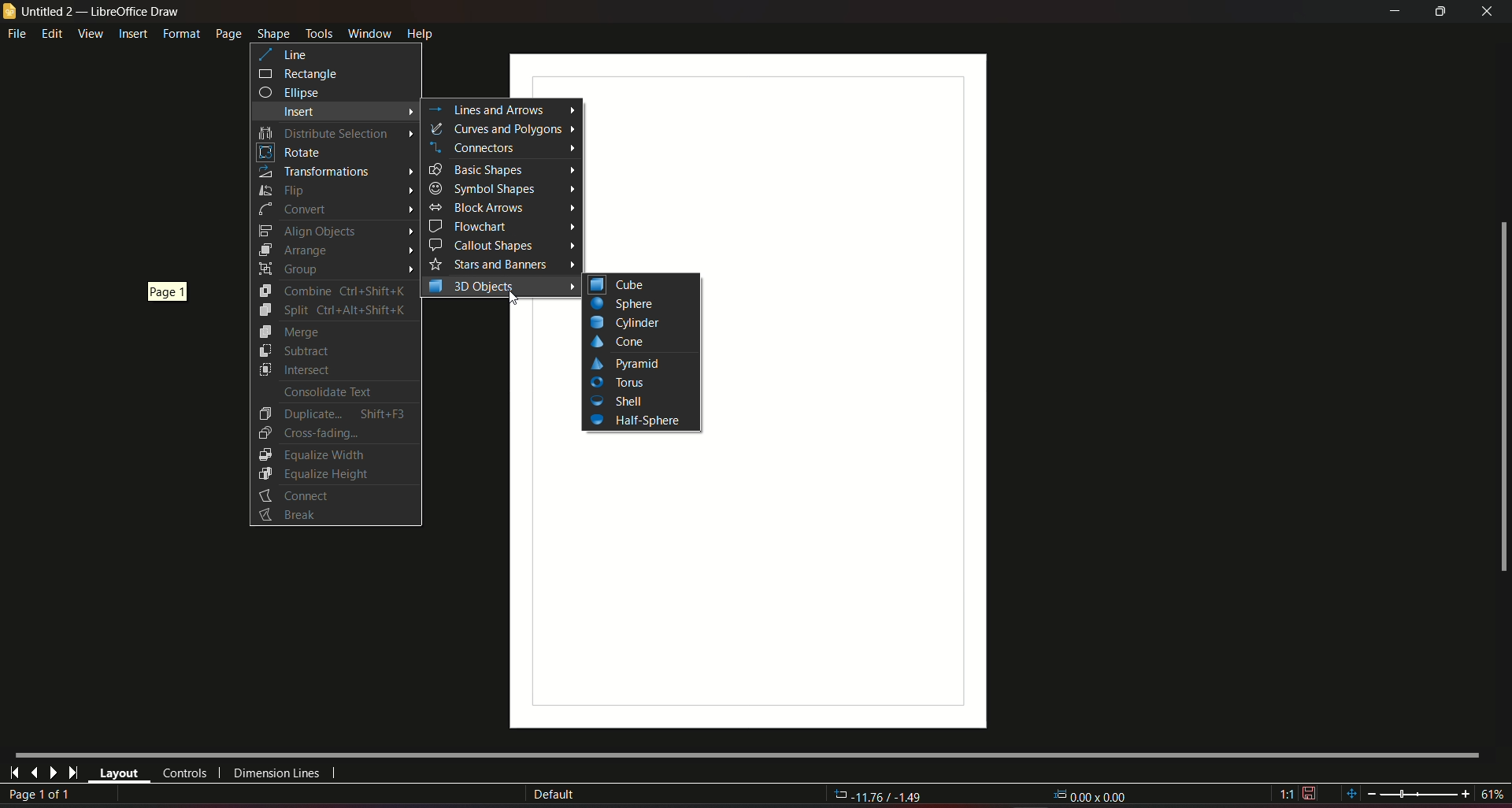 Image resolution: width=1512 pixels, height=808 pixels. What do you see at coordinates (298, 495) in the screenshot?
I see `Connect` at bounding box center [298, 495].